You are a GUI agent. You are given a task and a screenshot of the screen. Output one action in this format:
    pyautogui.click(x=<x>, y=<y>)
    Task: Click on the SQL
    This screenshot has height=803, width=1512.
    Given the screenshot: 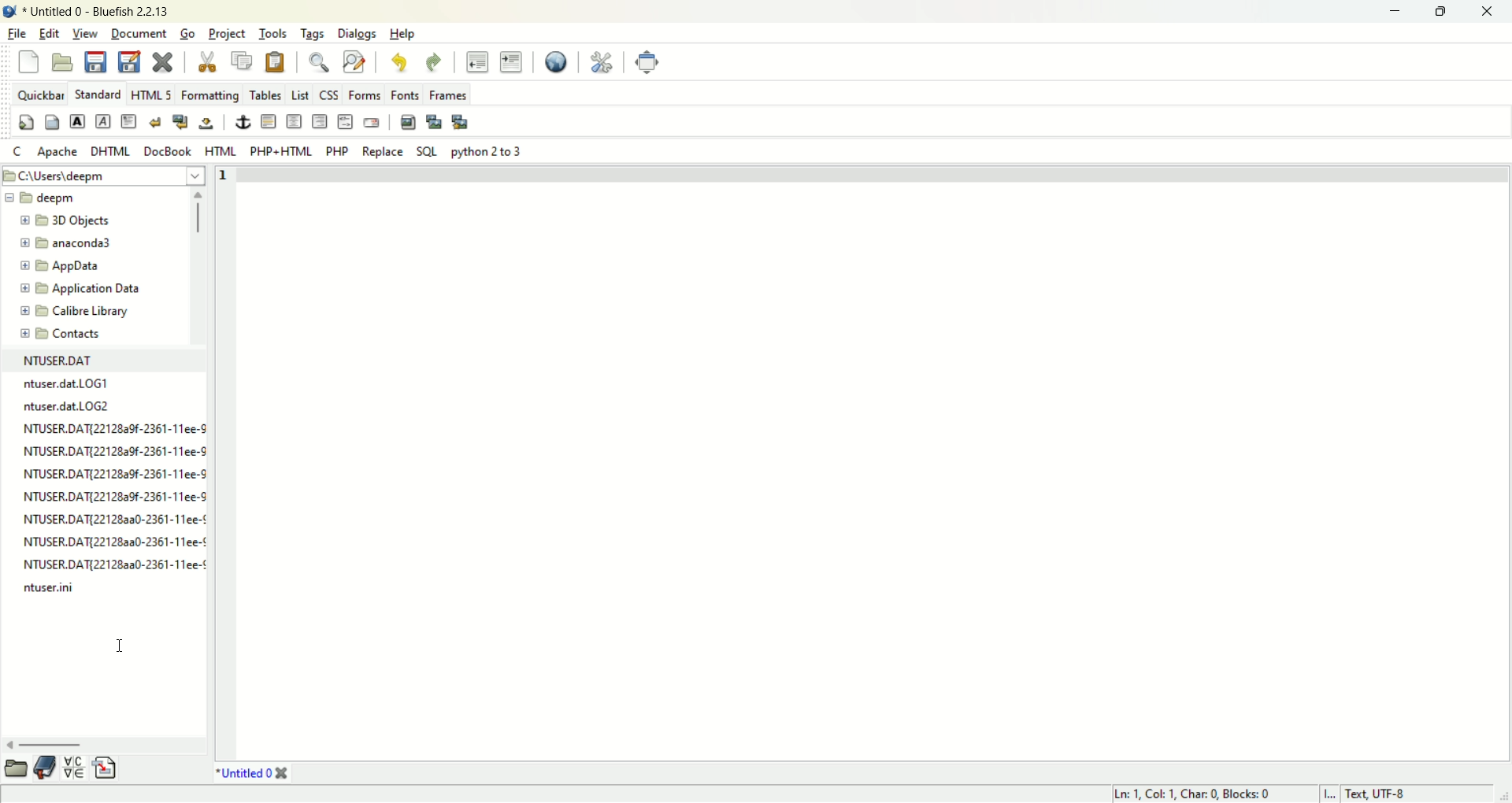 What is the action you would take?
    pyautogui.click(x=429, y=152)
    